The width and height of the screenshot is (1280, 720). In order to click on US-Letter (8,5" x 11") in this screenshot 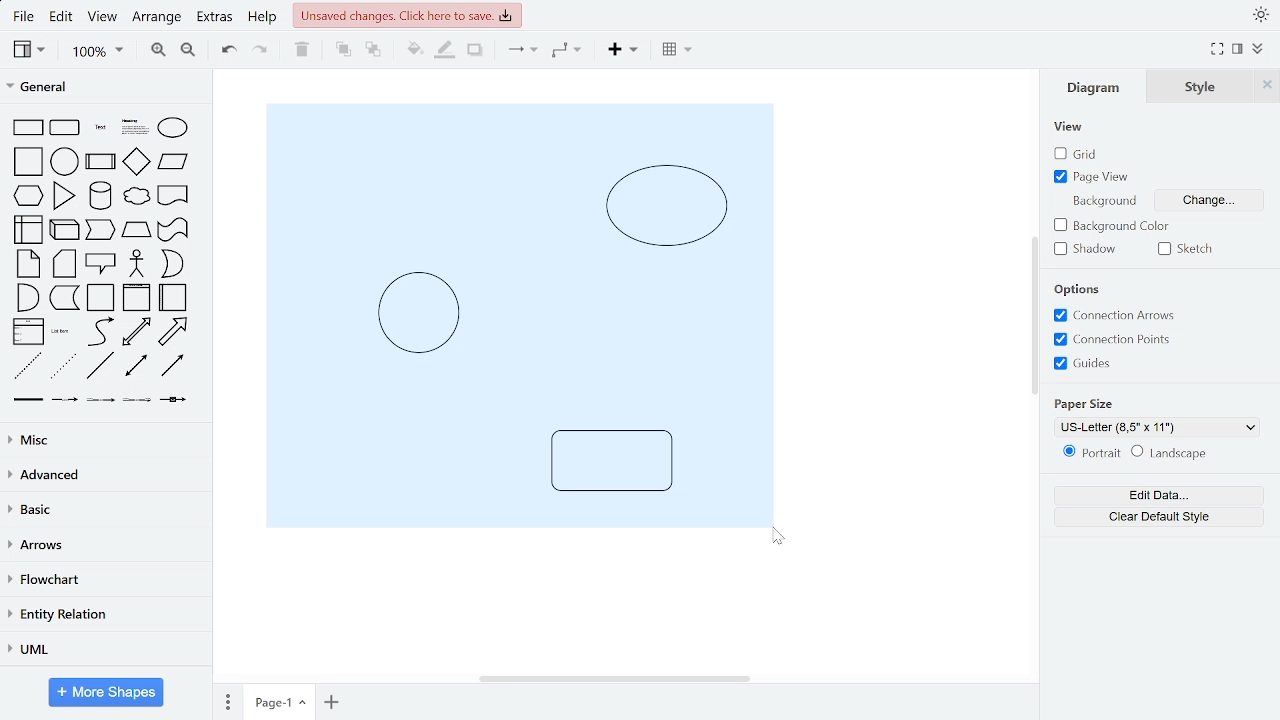, I will do `click(1160, 428)`.